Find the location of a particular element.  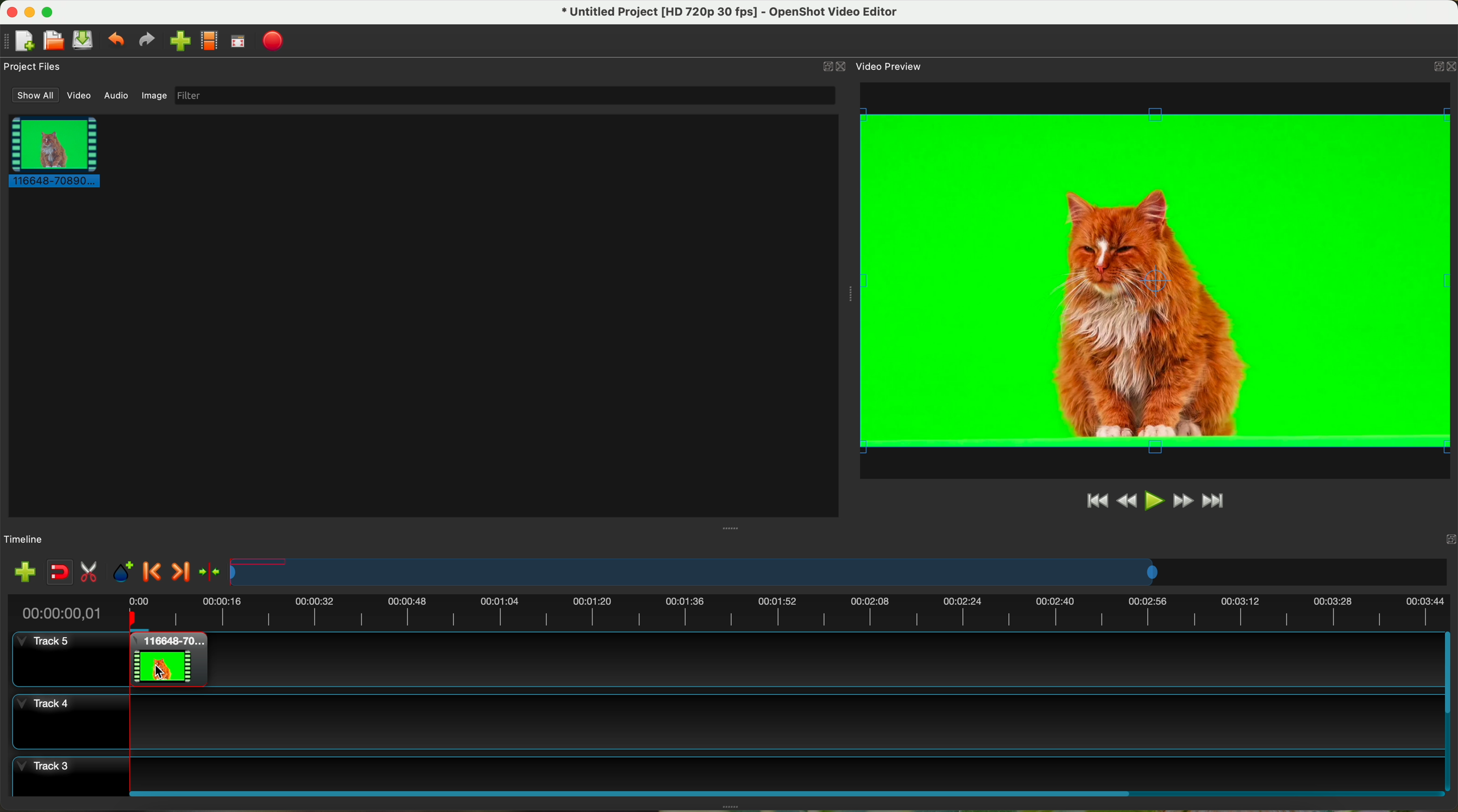

drag video to track 5 is located at coordinates (170, 658).